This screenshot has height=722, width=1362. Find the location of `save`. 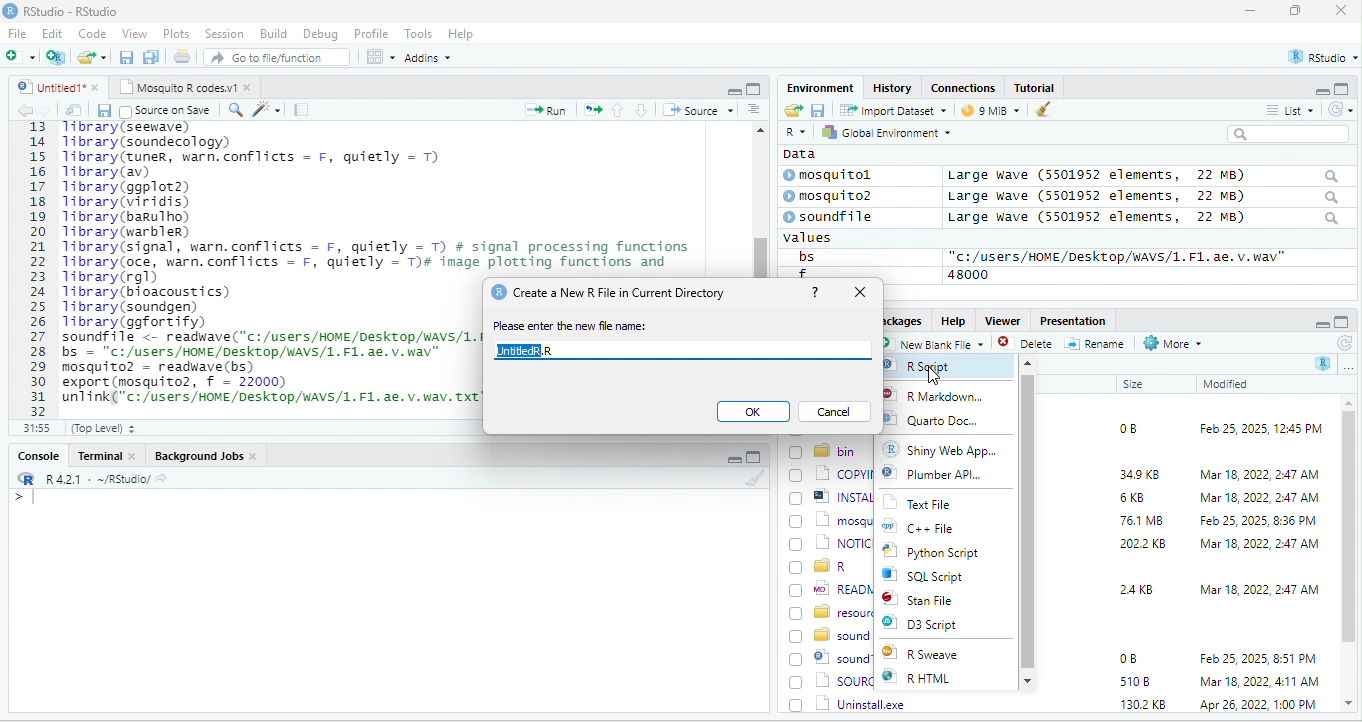

save is located at coordinates (128, 58).